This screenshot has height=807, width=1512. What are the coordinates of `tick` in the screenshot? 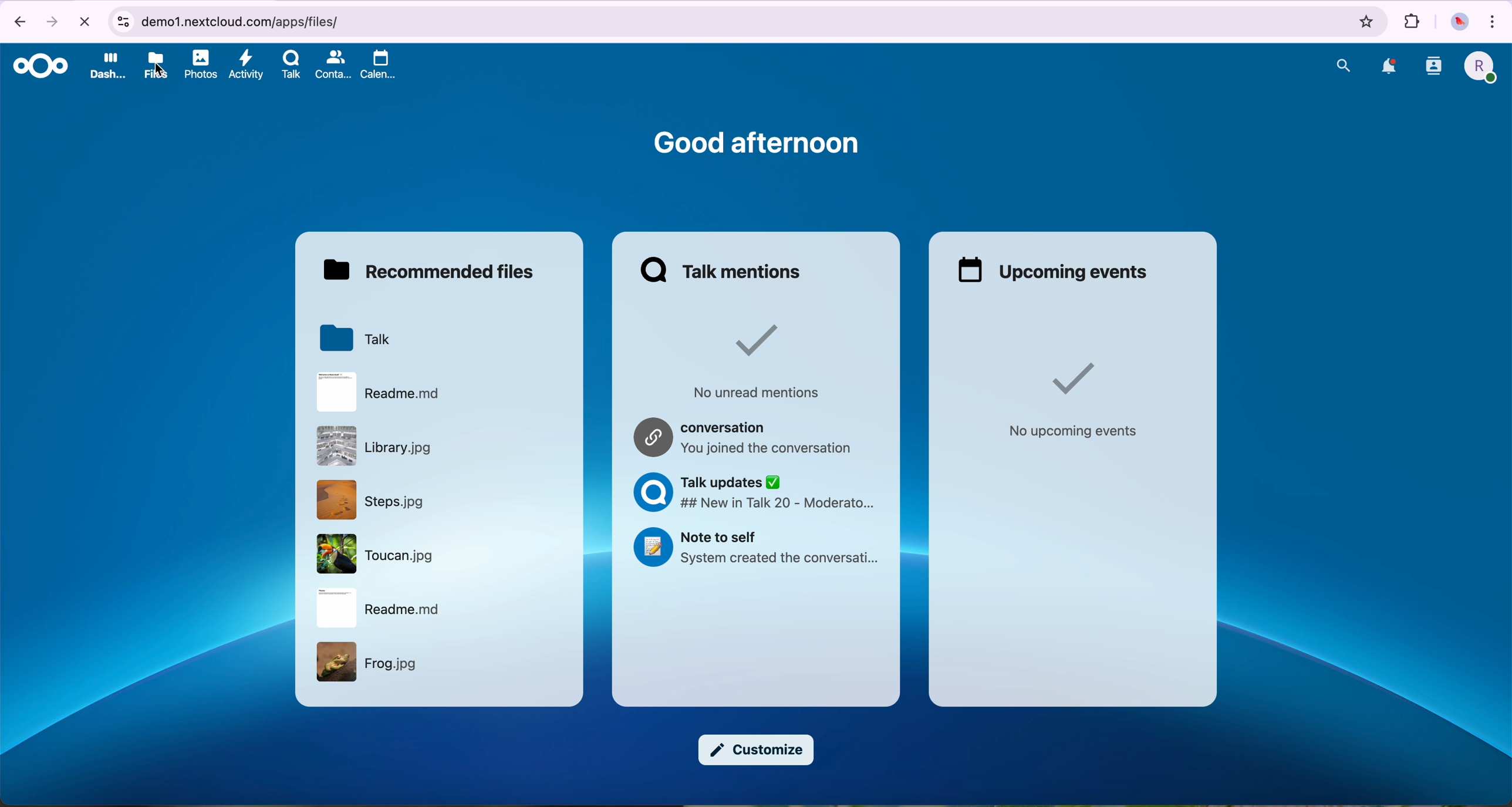 It's located at (750, 338).